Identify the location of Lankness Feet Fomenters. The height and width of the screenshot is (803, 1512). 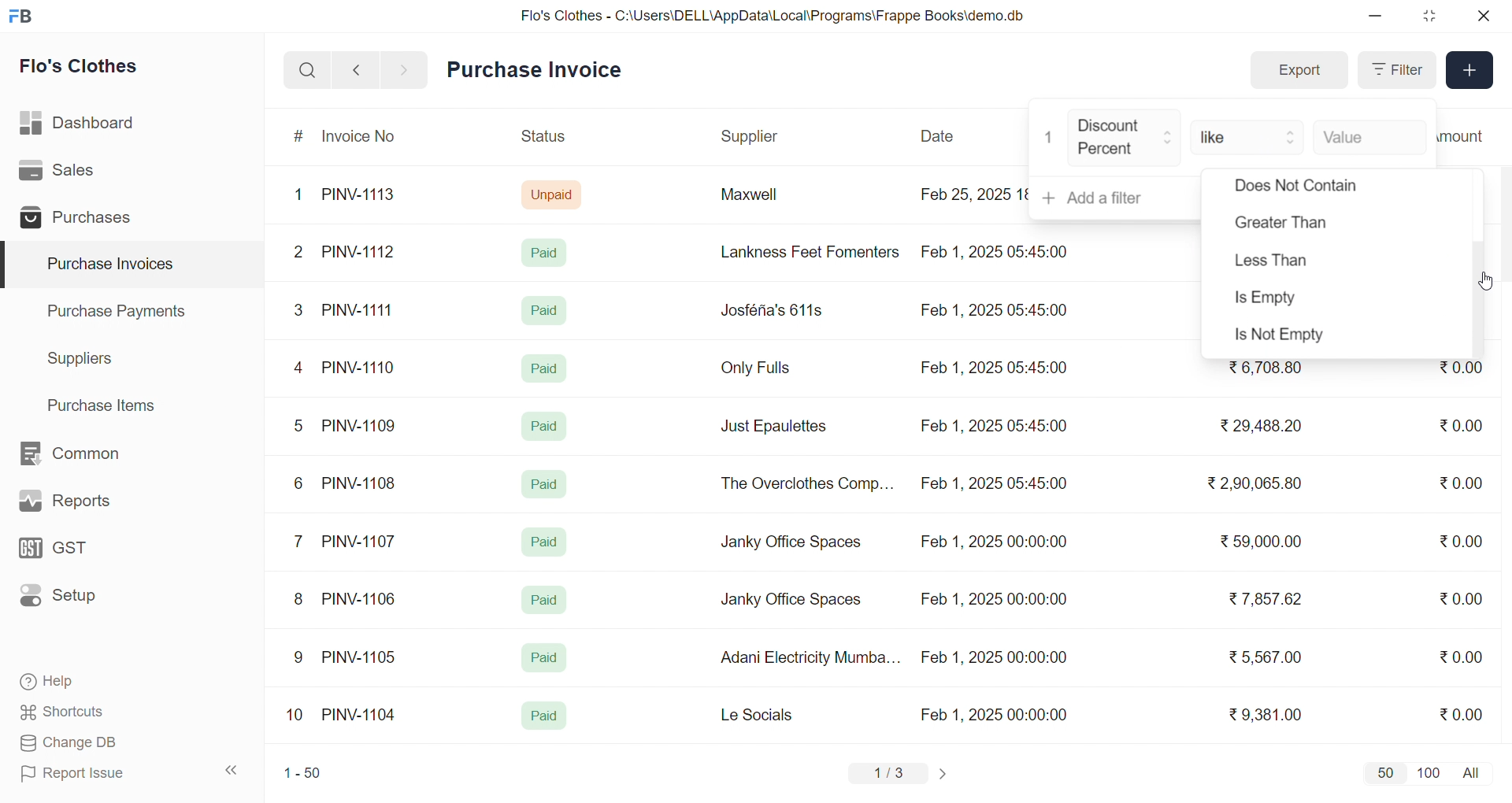
(800, 252).